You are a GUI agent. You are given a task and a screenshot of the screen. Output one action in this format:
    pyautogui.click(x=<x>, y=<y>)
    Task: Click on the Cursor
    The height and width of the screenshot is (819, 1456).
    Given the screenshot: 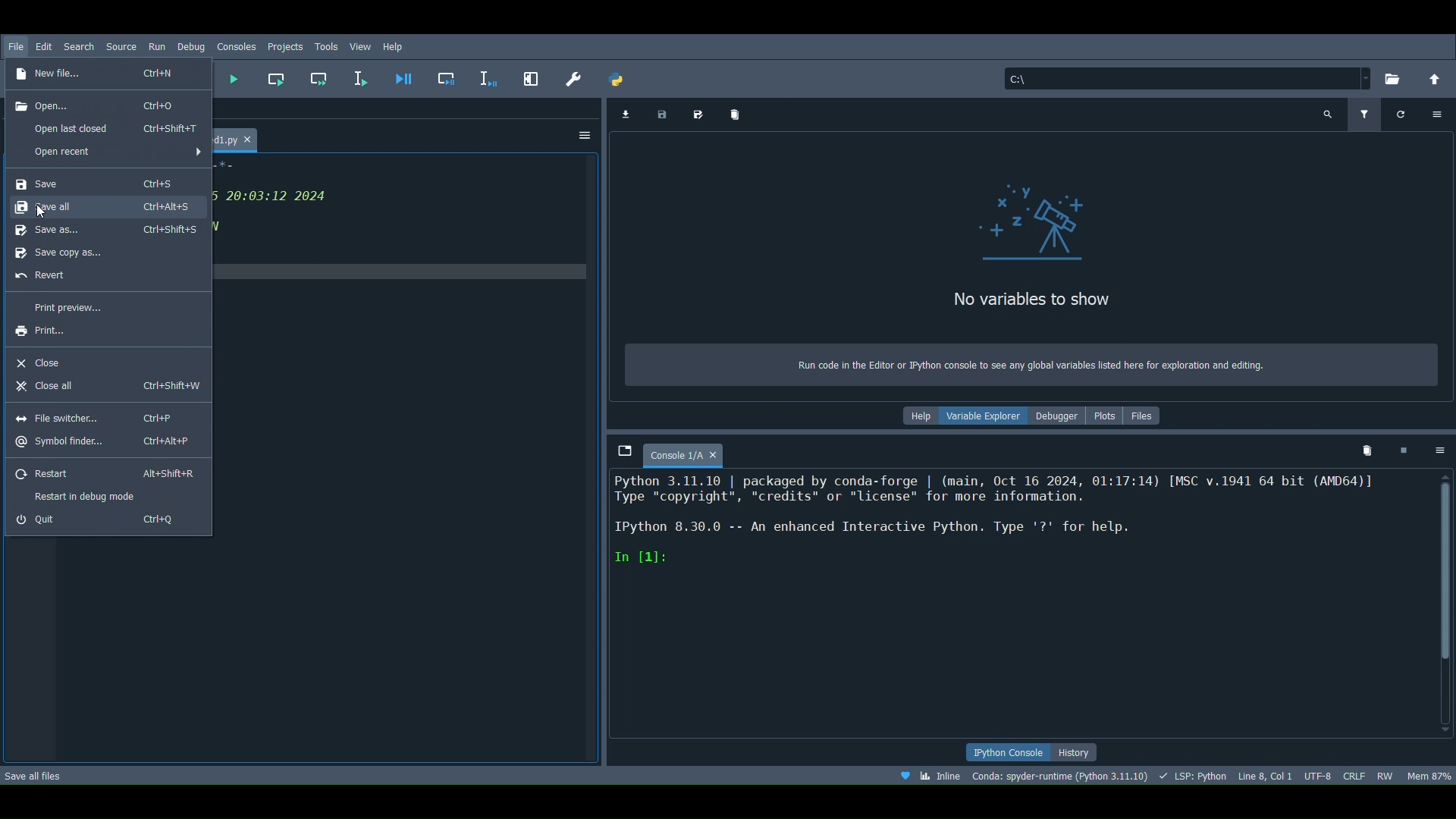 What is the action you would take?
    pyautogui.click(x=45, y=212)
    